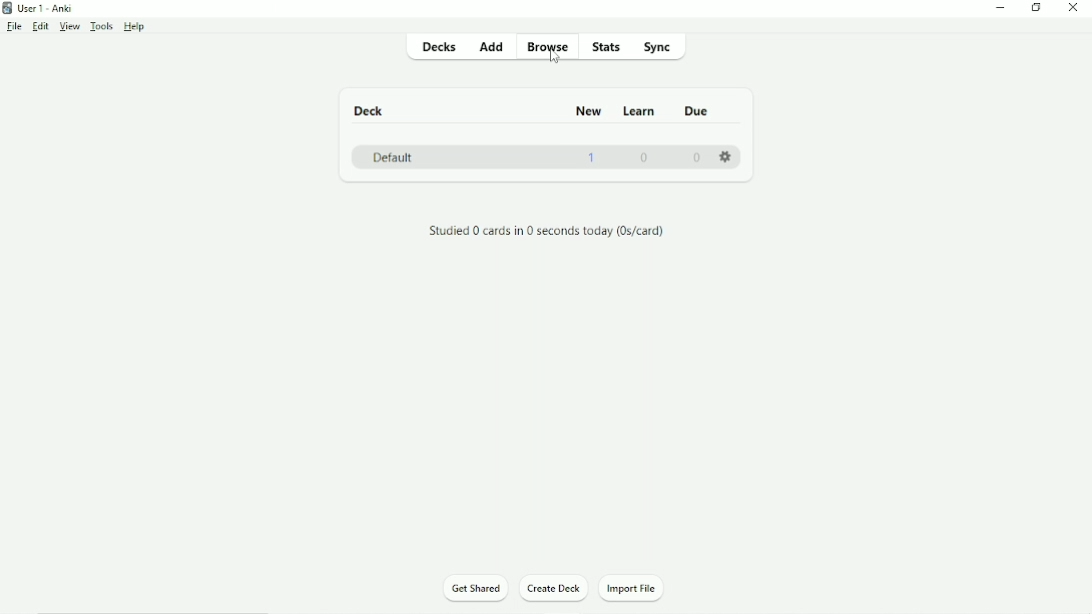 The height and width of the screenshot is (614, 1092). What do you see at coordinates (592, 158) in the screenshot?
I see `1` at bounding box center [592, 158].